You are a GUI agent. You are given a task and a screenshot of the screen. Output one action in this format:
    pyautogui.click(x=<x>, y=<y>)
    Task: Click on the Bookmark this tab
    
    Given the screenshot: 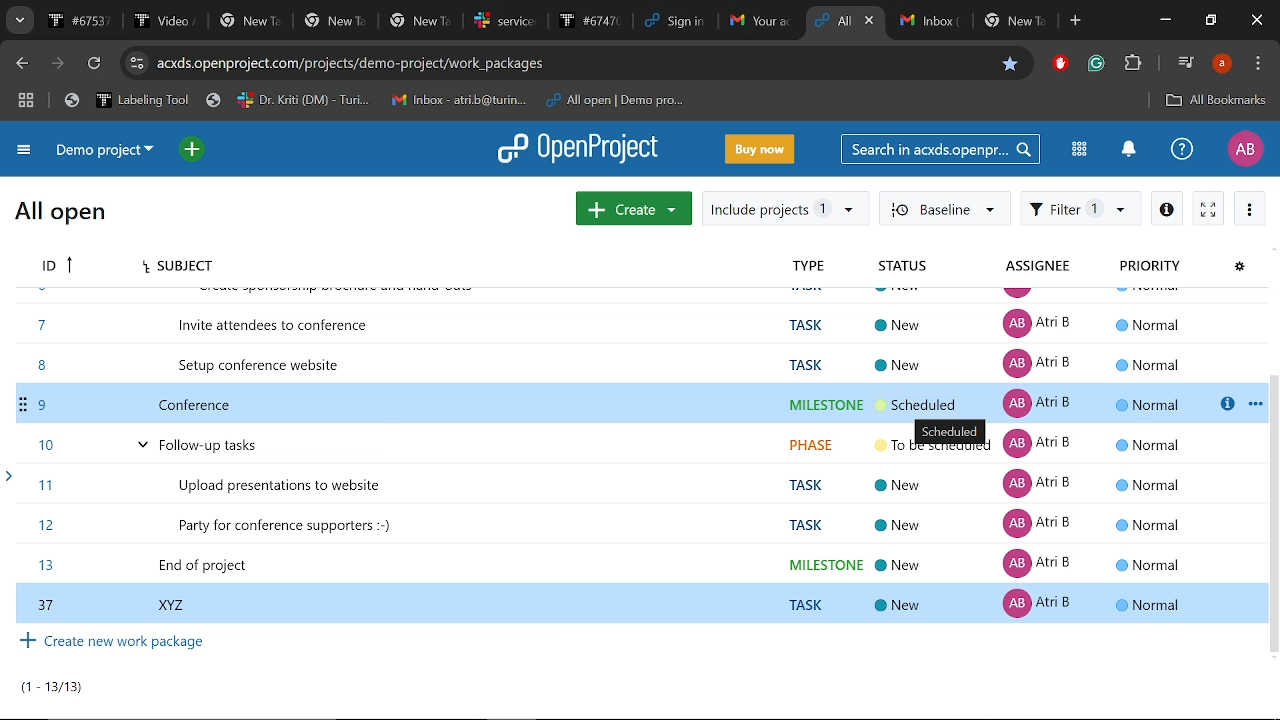 What is the action you would take?
    pyautogui.click(x=1011, y=64)
    